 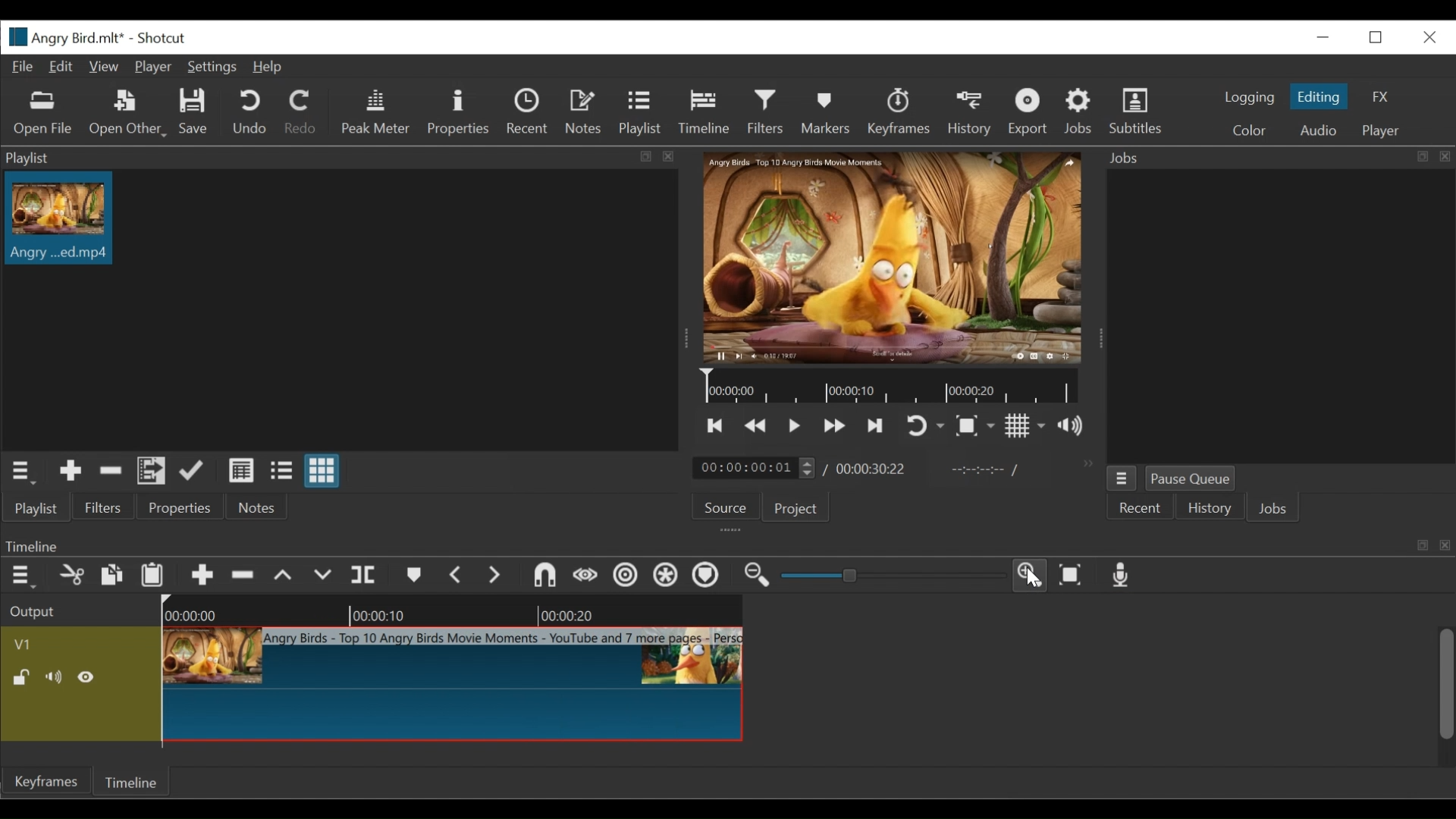 What do you see at coordinates (1385, 132) in the screenshot?
I see `Player` at bounding box center [1385, 132].